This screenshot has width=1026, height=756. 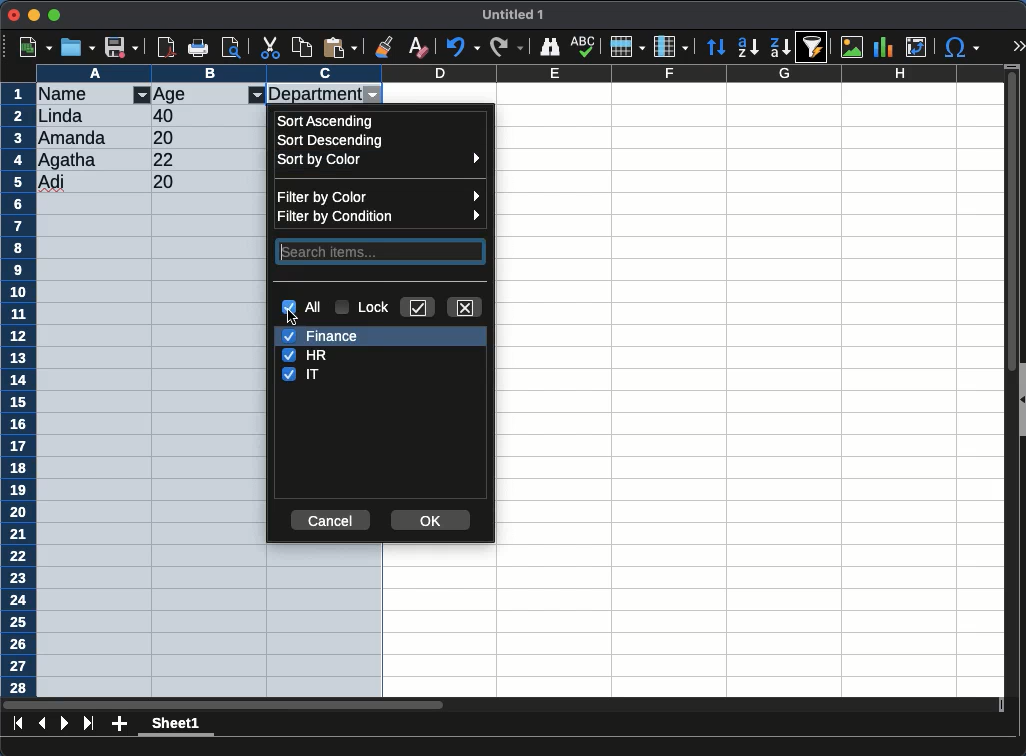 I want to click on sheet 1, so click(x=177, y=726).